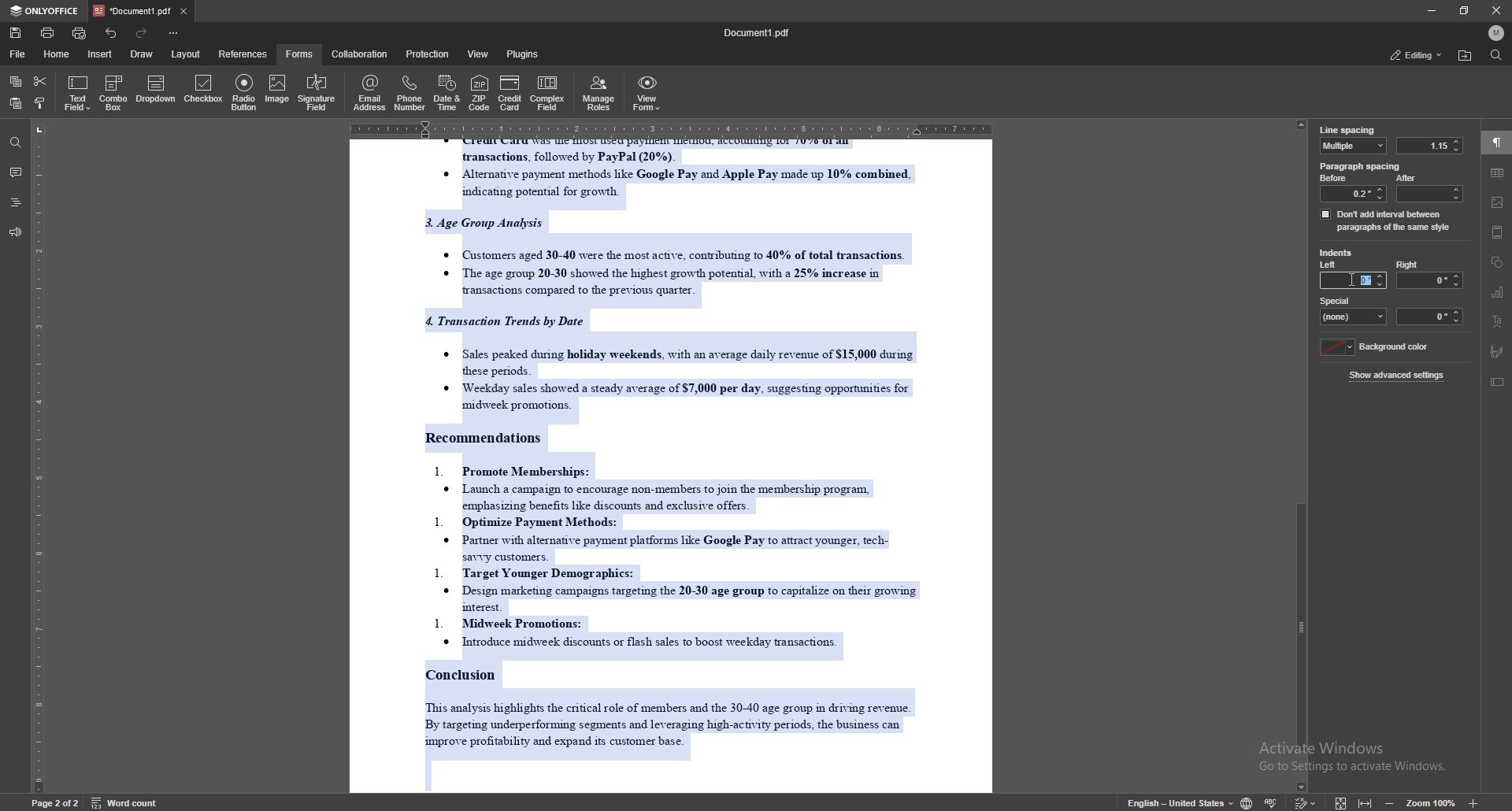 This screenshot has width=1512, height=811. What do you see at coordinates (183, 10) in the screenshot?
I see `close tab` at bounding box center [183, 10].